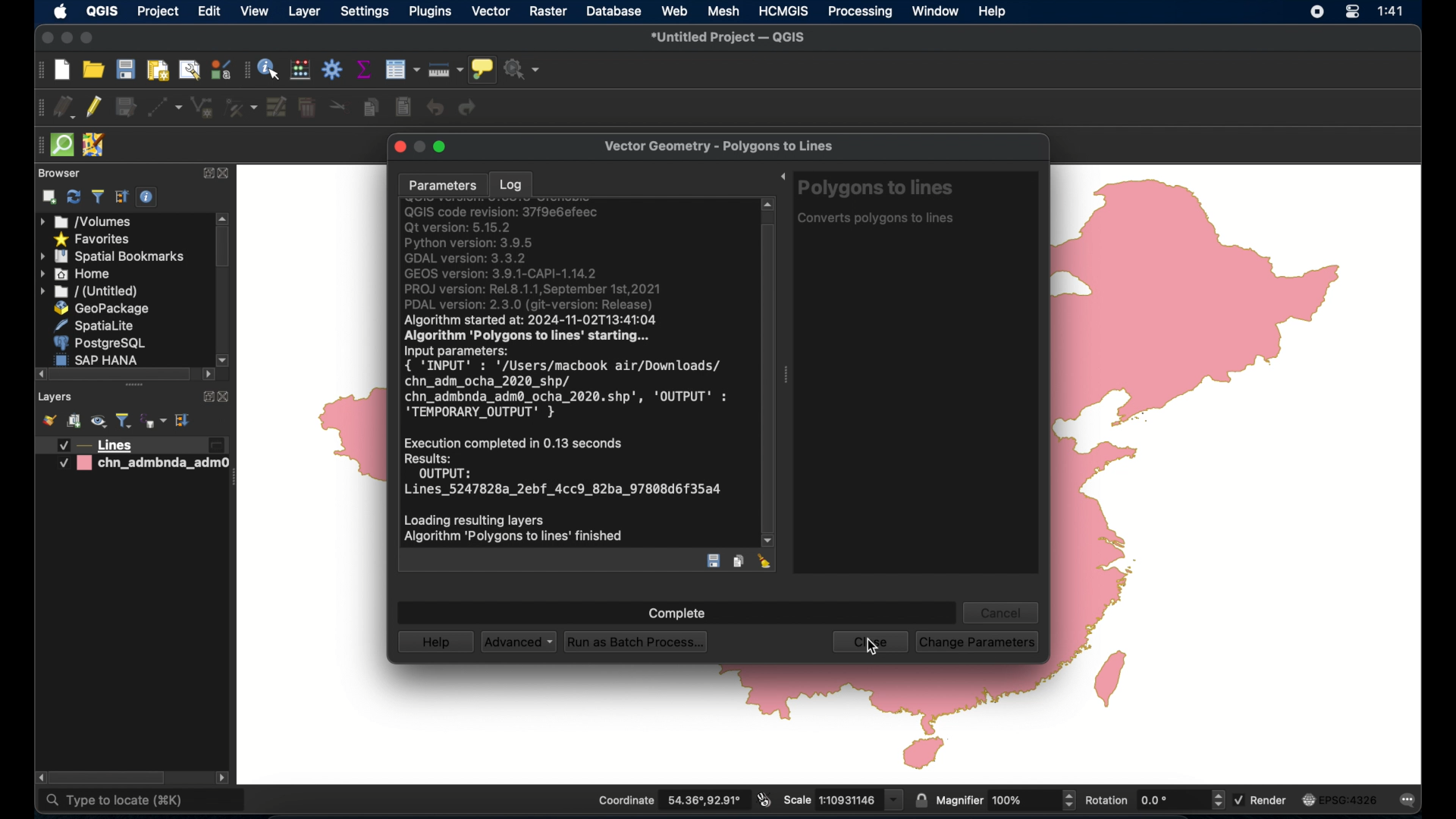 The width and height of the screenshot is (1456, 819). I want to click on scroll up arrow, so click(770, 205).